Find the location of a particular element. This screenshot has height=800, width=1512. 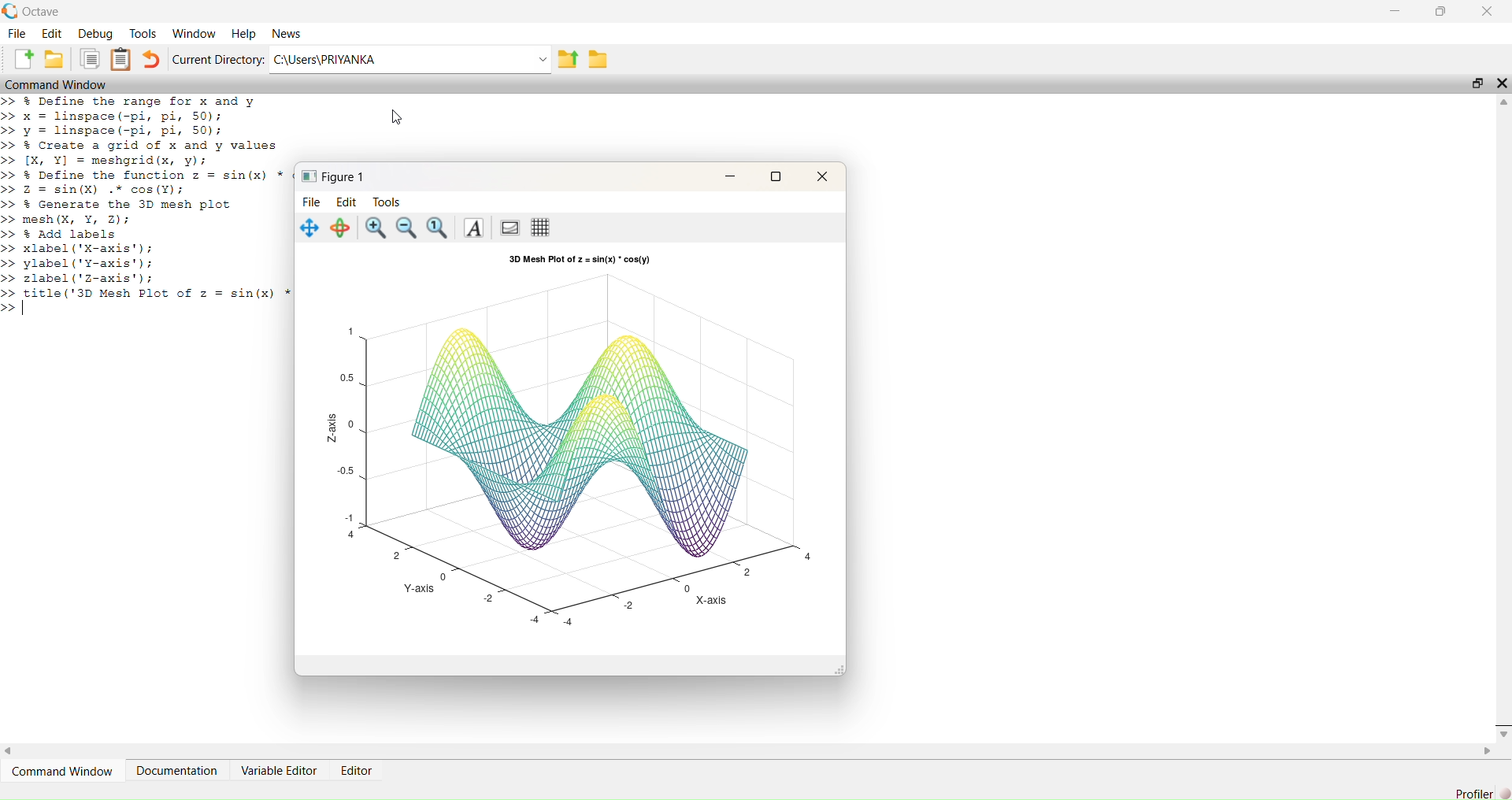

Copy is located at coordinates (87, 57).